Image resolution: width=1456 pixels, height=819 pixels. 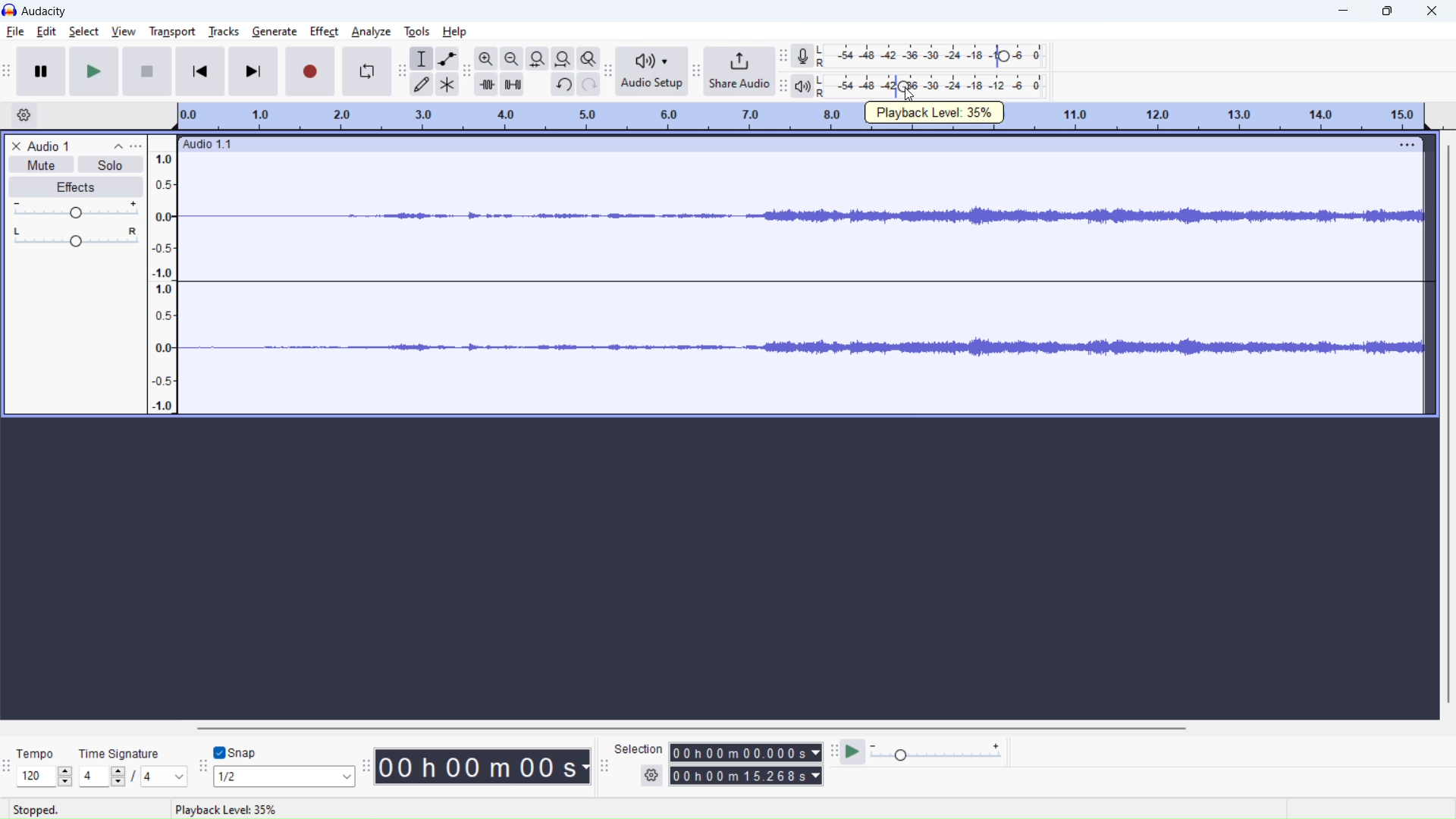 I want to click on Stopped, so click(x=35, y=810).